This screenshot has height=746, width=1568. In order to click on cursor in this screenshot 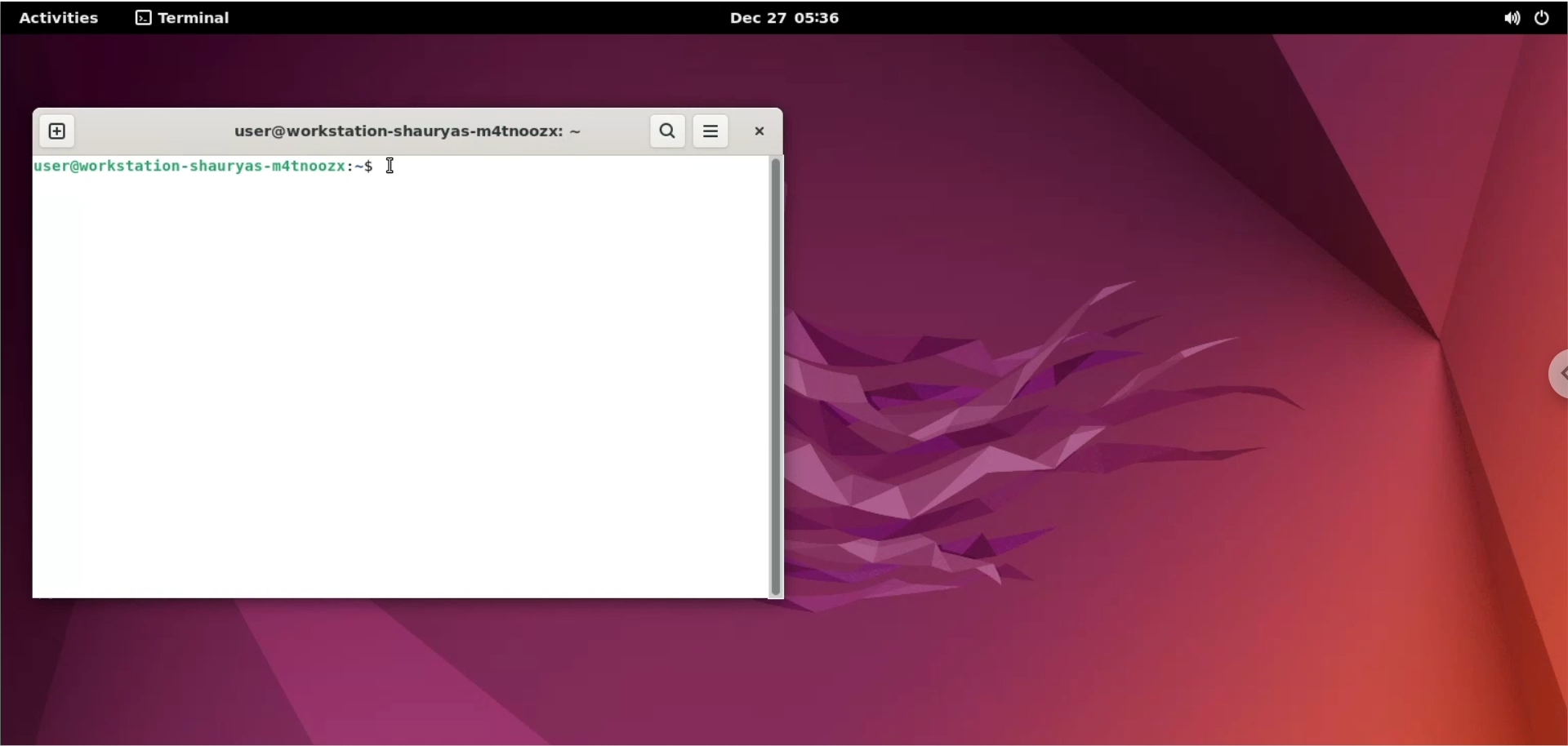, I will do `click(395, 167)`.